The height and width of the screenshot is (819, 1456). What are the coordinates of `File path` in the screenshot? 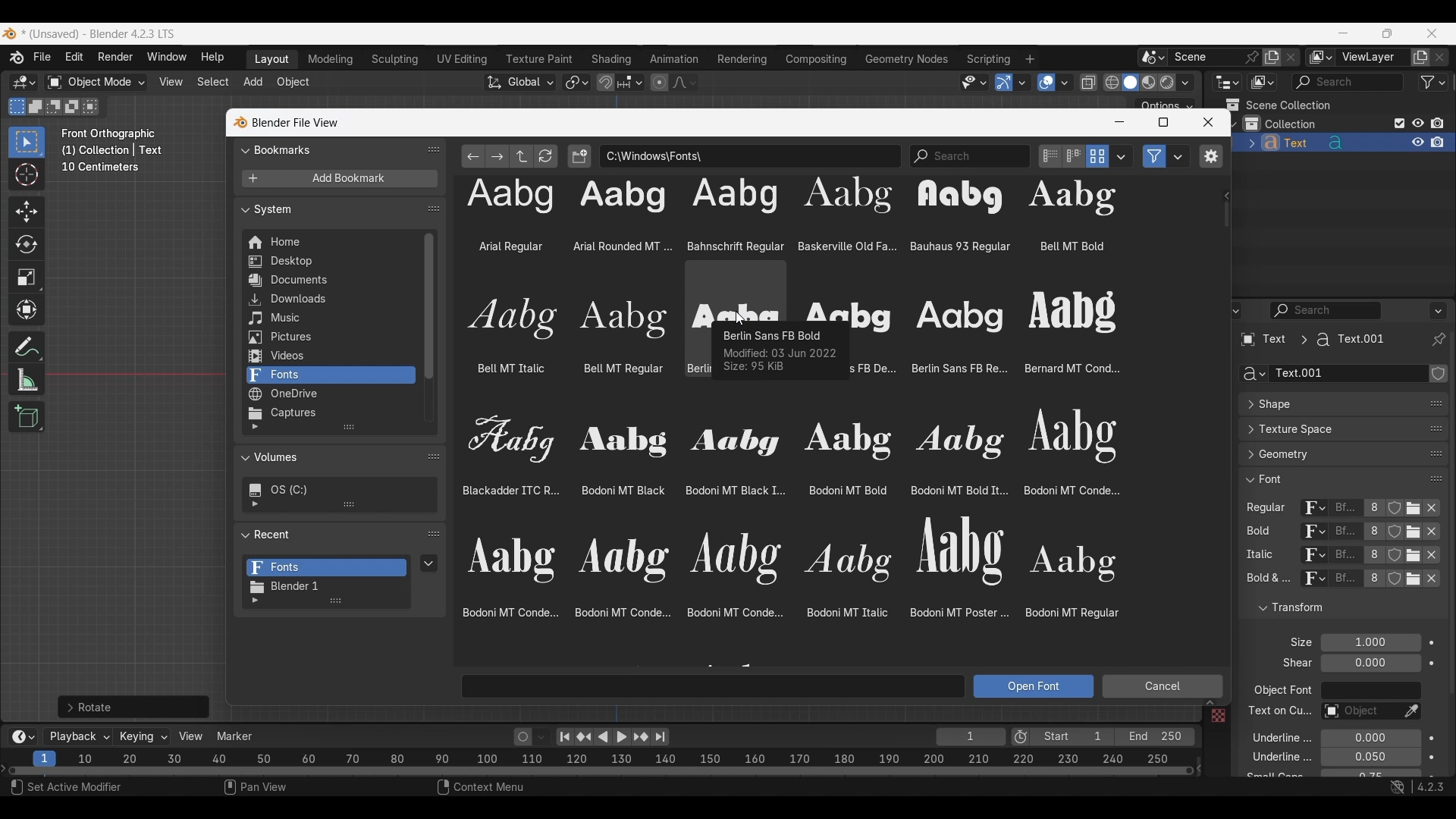 It's located at (750, 155).